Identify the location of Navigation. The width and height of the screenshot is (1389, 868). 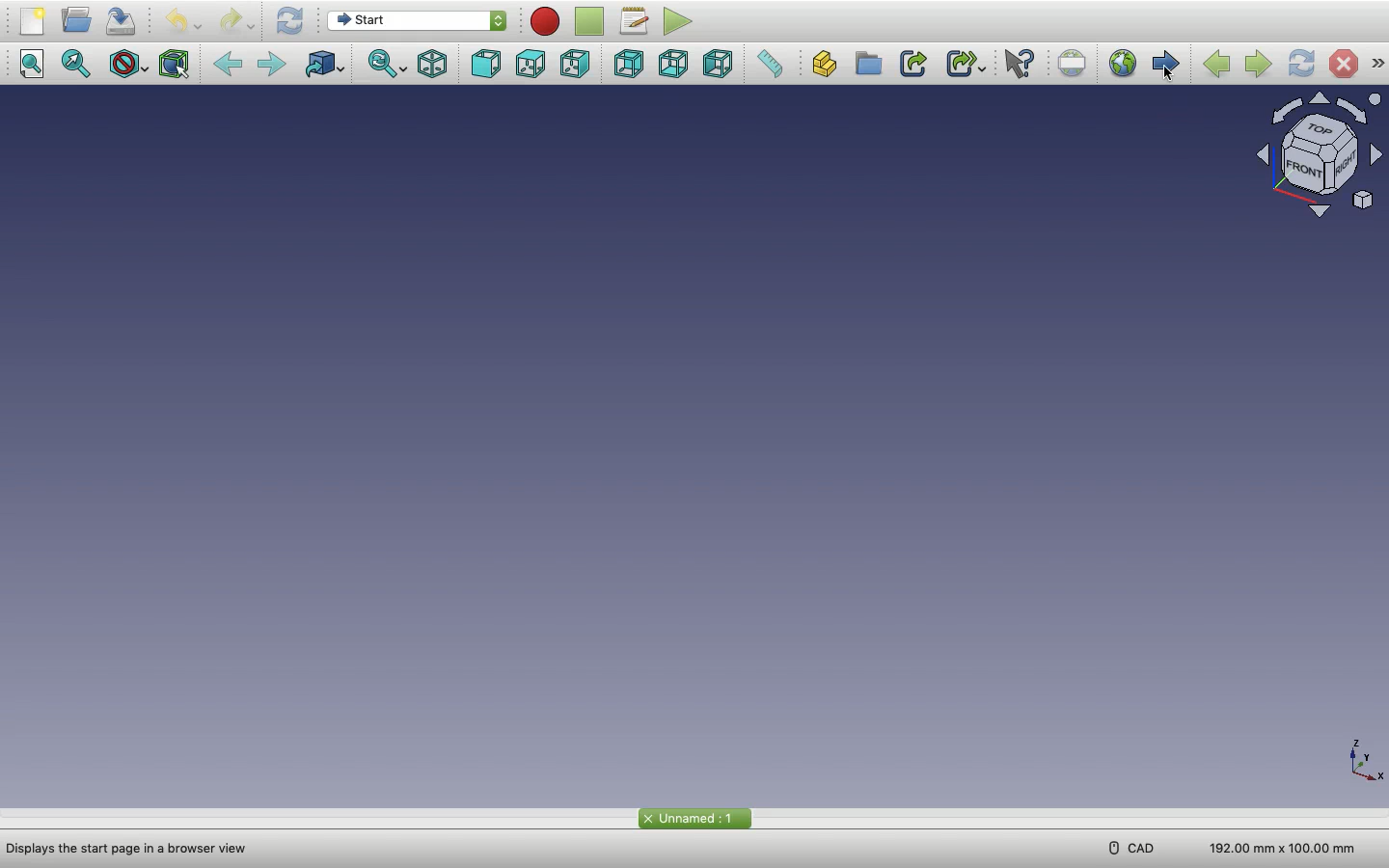
(1378, 64).